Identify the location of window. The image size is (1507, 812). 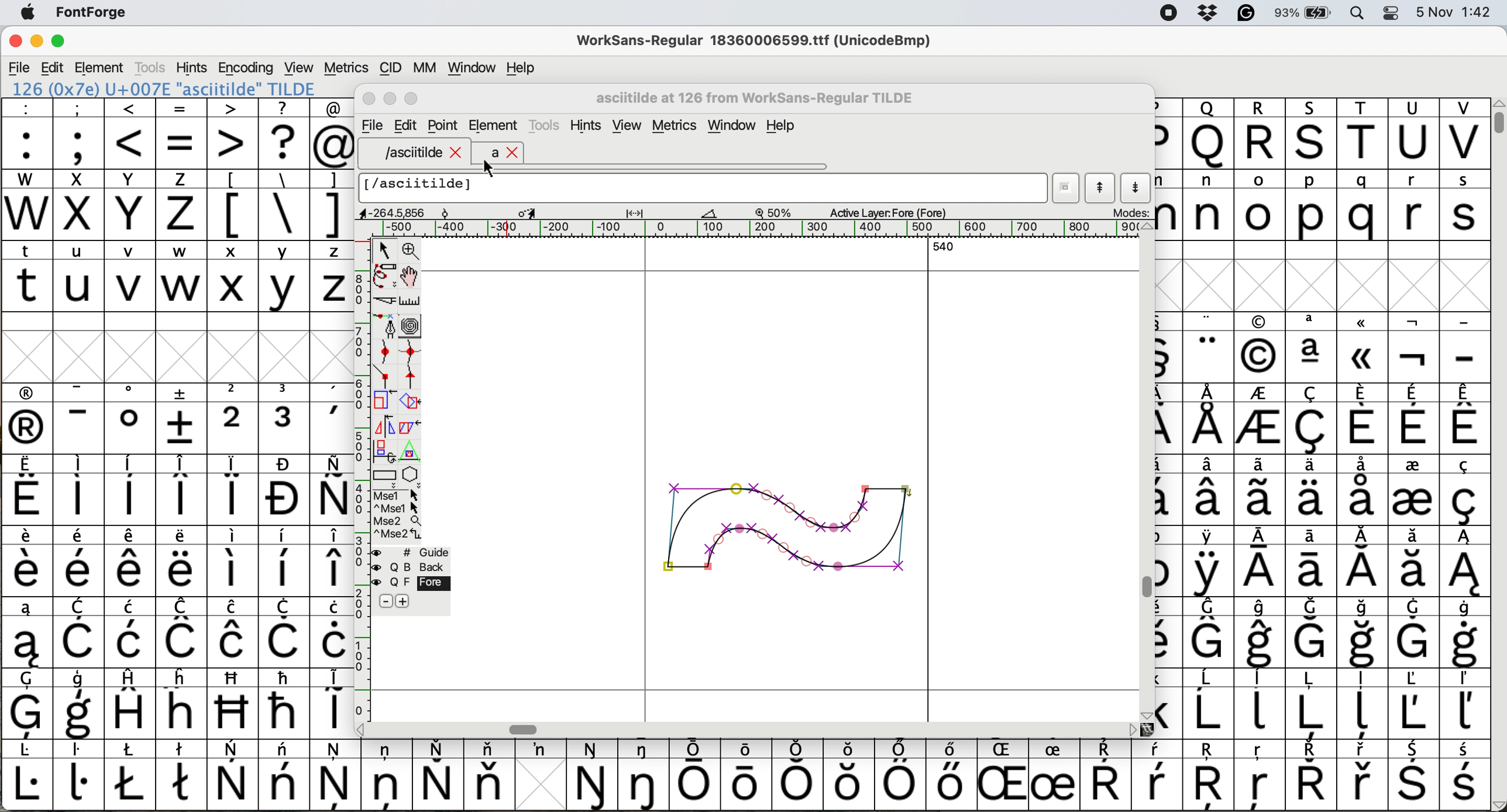
(734, 126).